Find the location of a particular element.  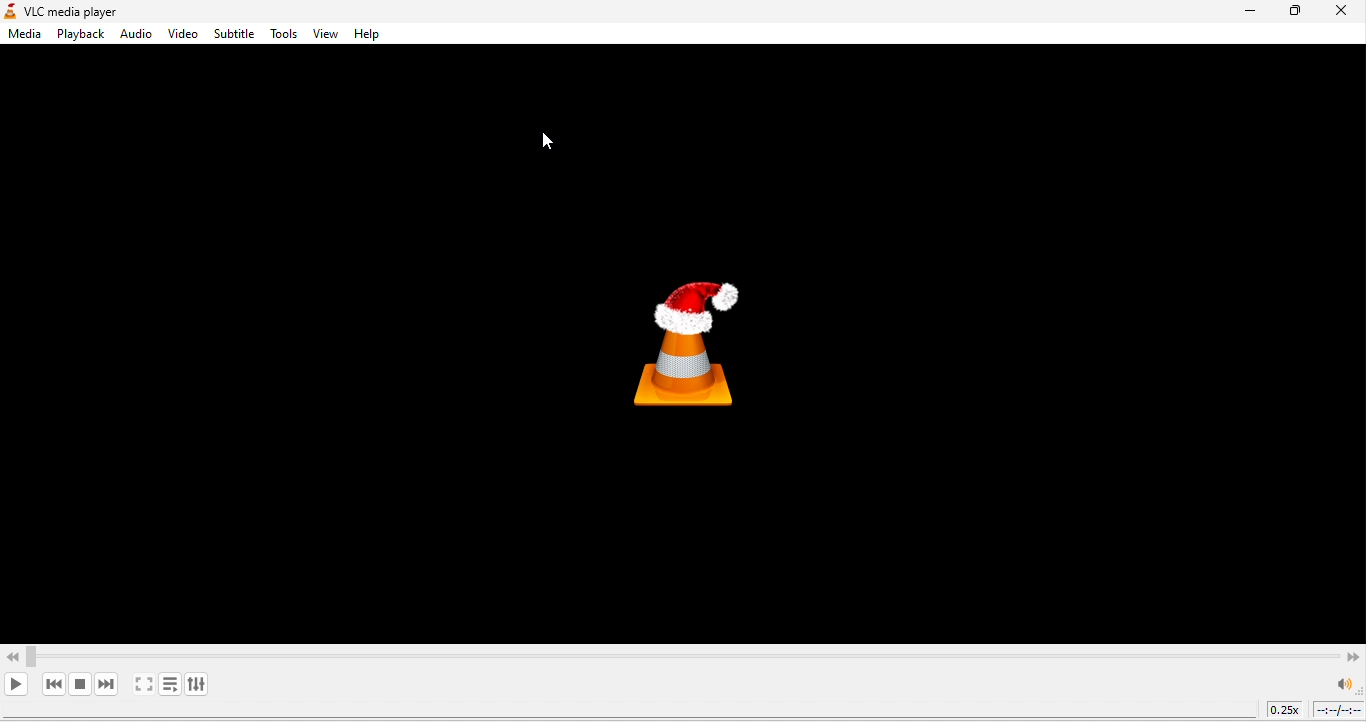

next media is located at coordinates (111, 681).